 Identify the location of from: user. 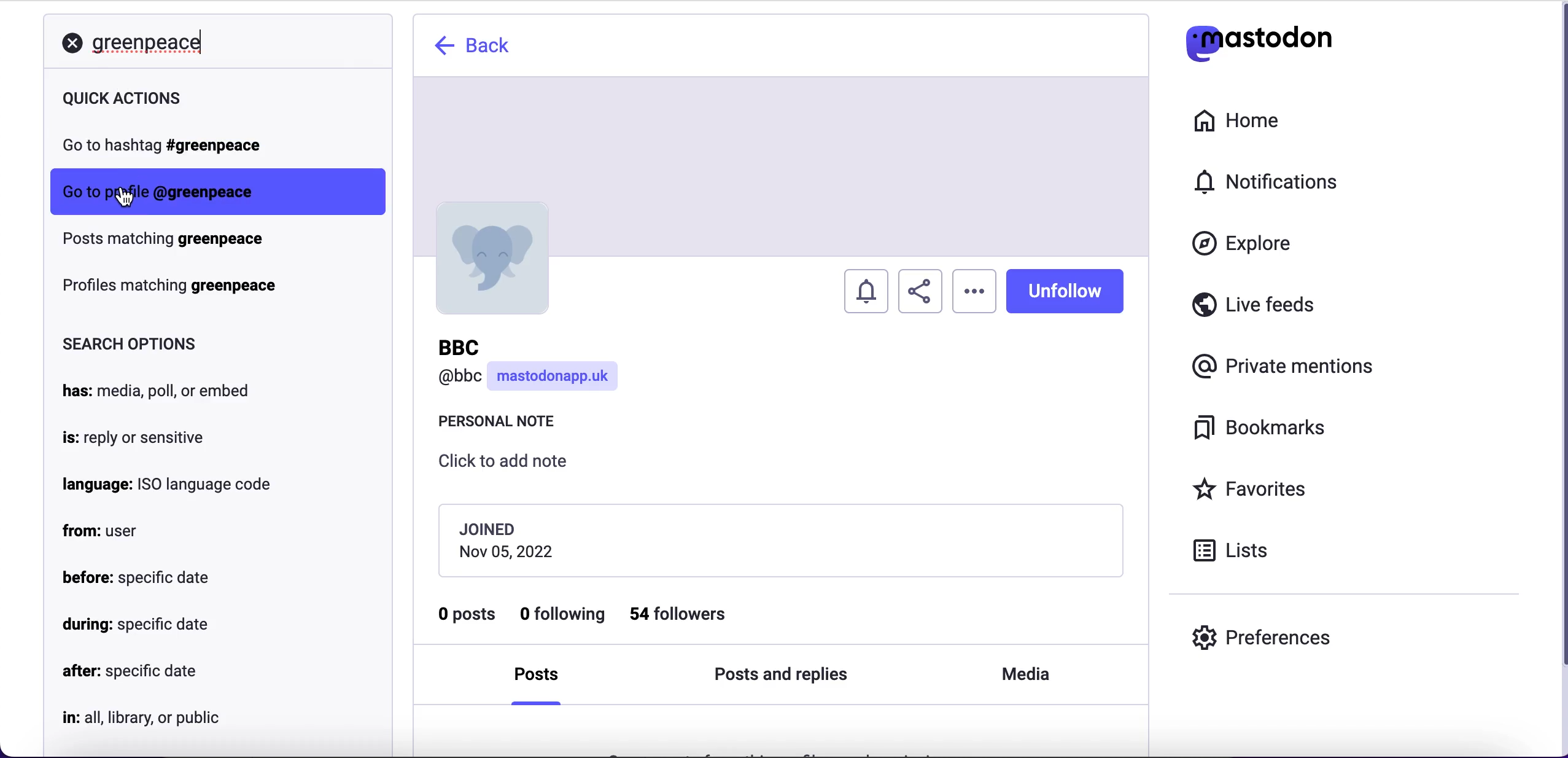
(104, 531).